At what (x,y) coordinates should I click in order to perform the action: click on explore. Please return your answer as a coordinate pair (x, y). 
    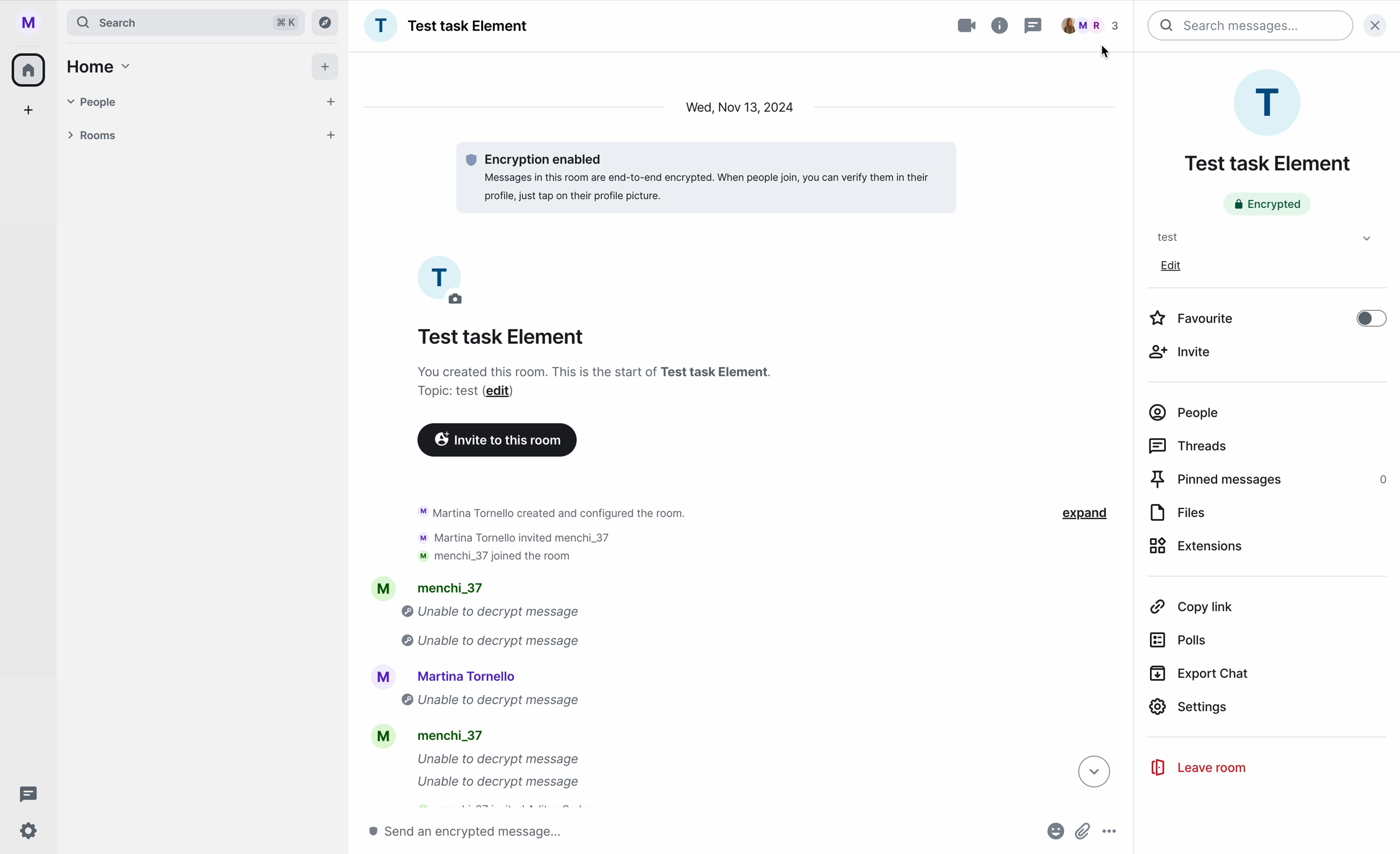
    Looking at the image, I should click on (326, 23).